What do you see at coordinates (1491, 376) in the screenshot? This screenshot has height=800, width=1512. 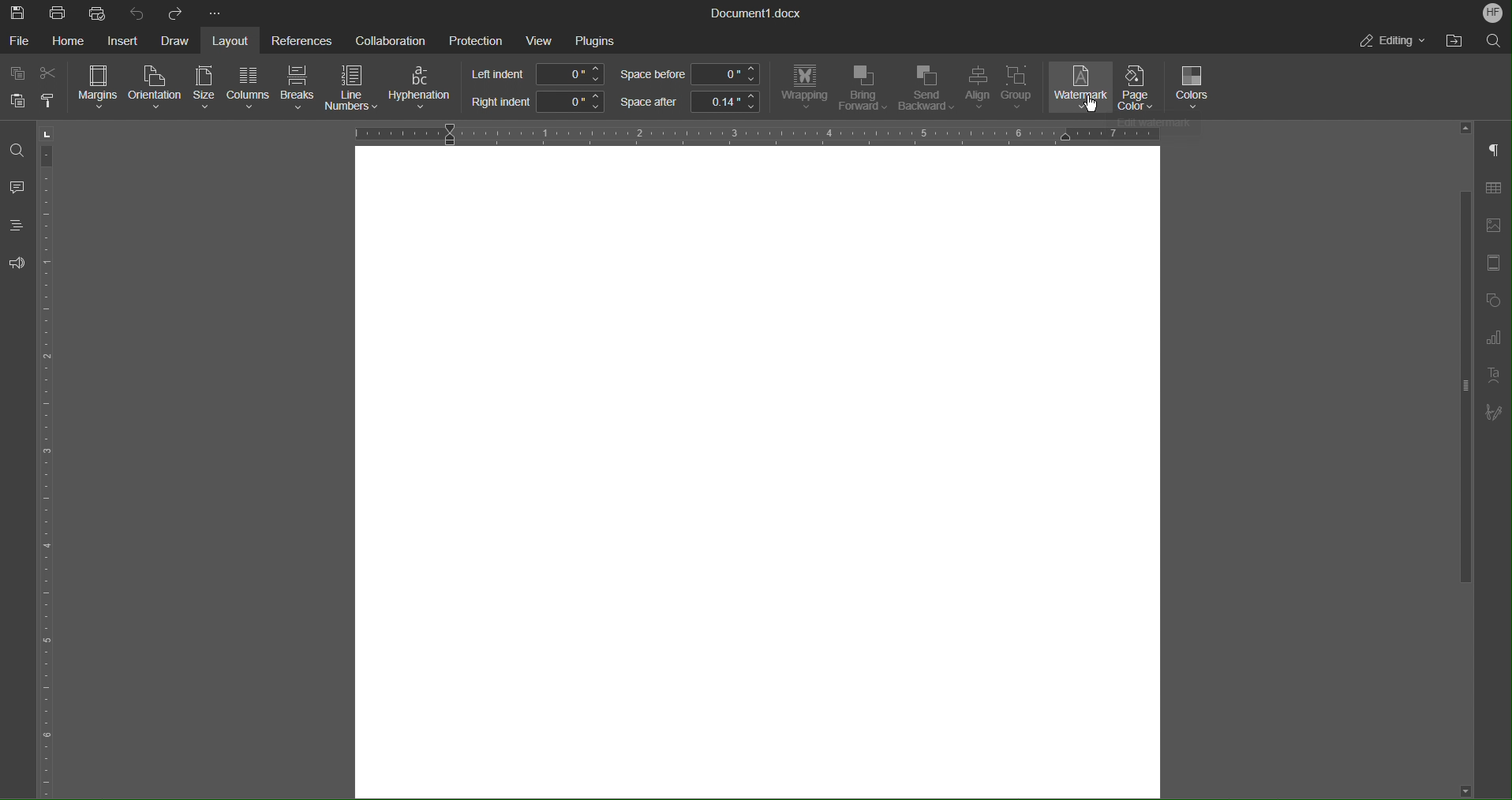 I see `Text Art` at bounding box center [1491, 376].